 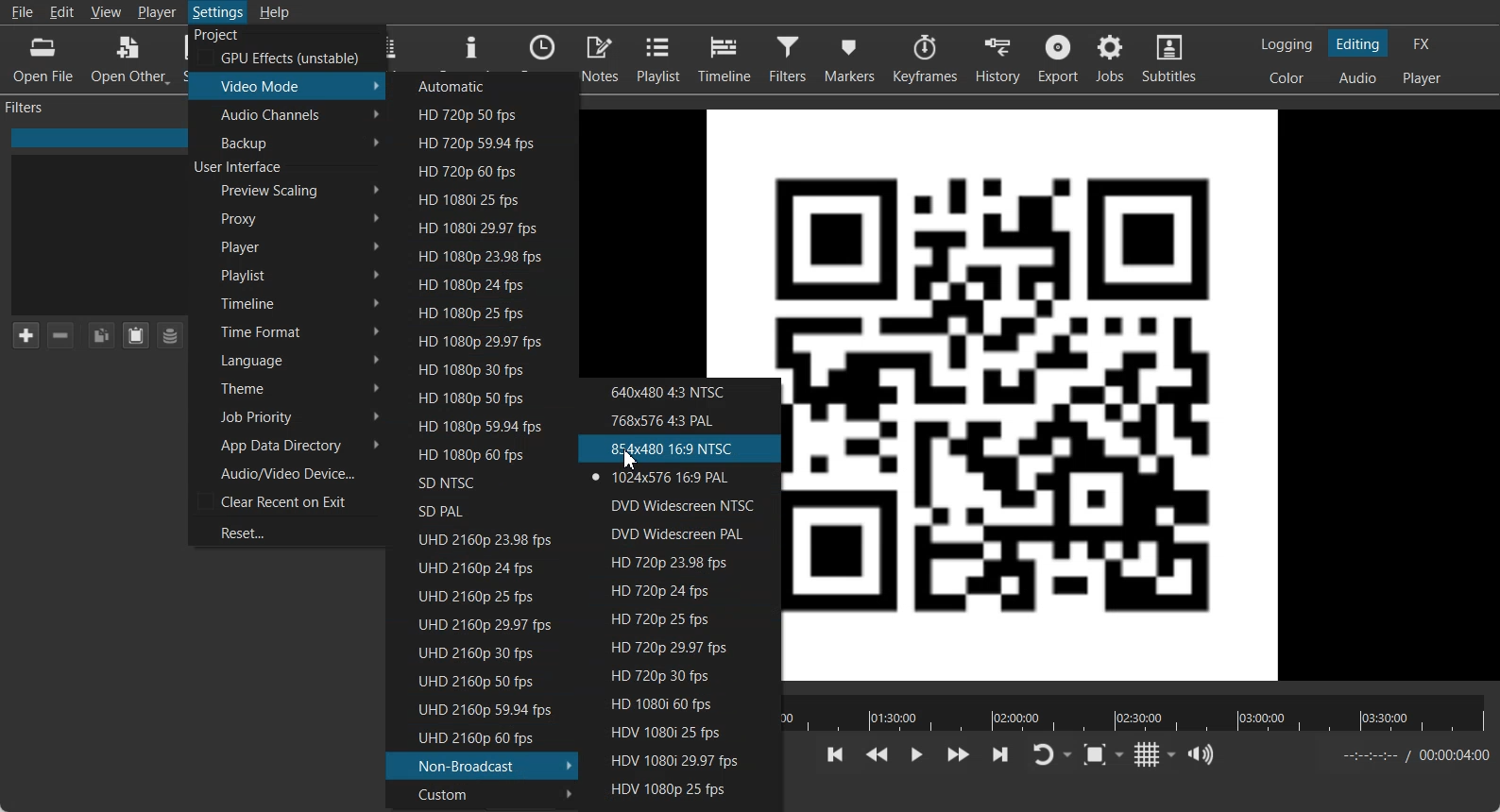 I want to click on Add Filter, so click(x=25, y=334).